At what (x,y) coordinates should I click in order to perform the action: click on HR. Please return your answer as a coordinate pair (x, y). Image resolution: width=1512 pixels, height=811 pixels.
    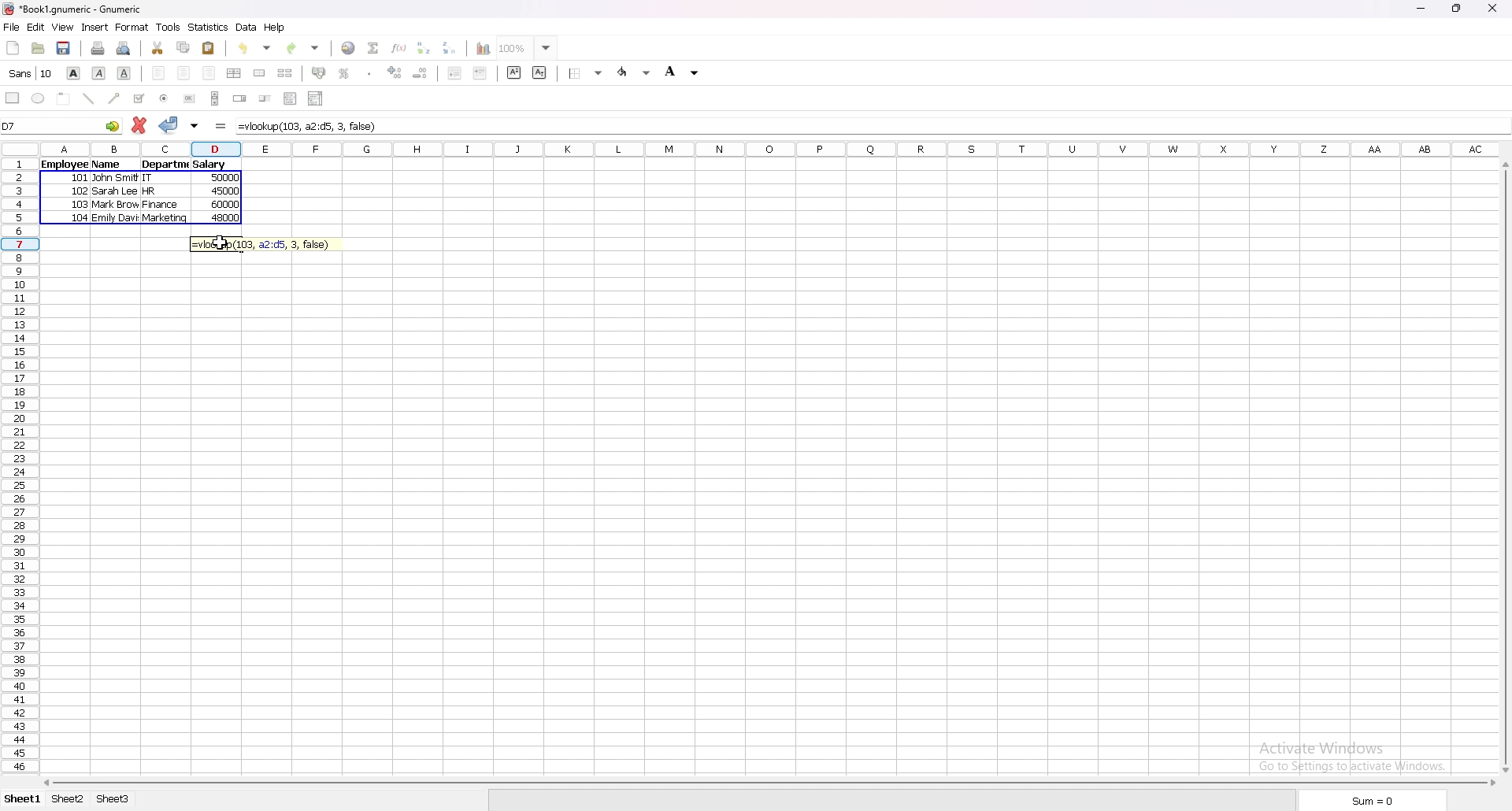
    Looking at the image, I should click on (153, 193).